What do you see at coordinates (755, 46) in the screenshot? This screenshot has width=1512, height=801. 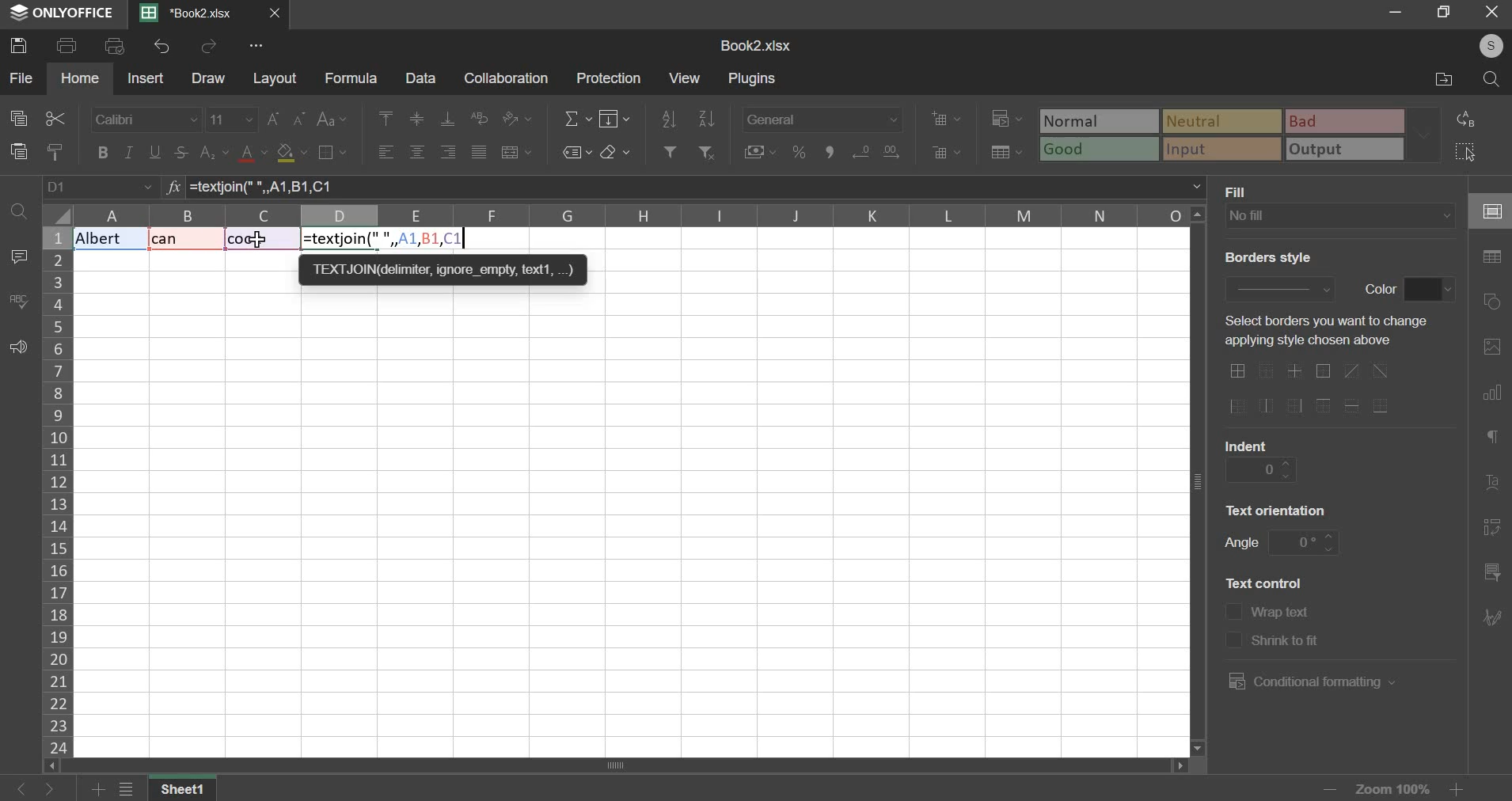 I see `spreadsheet name` at bounding box center [755, 46].